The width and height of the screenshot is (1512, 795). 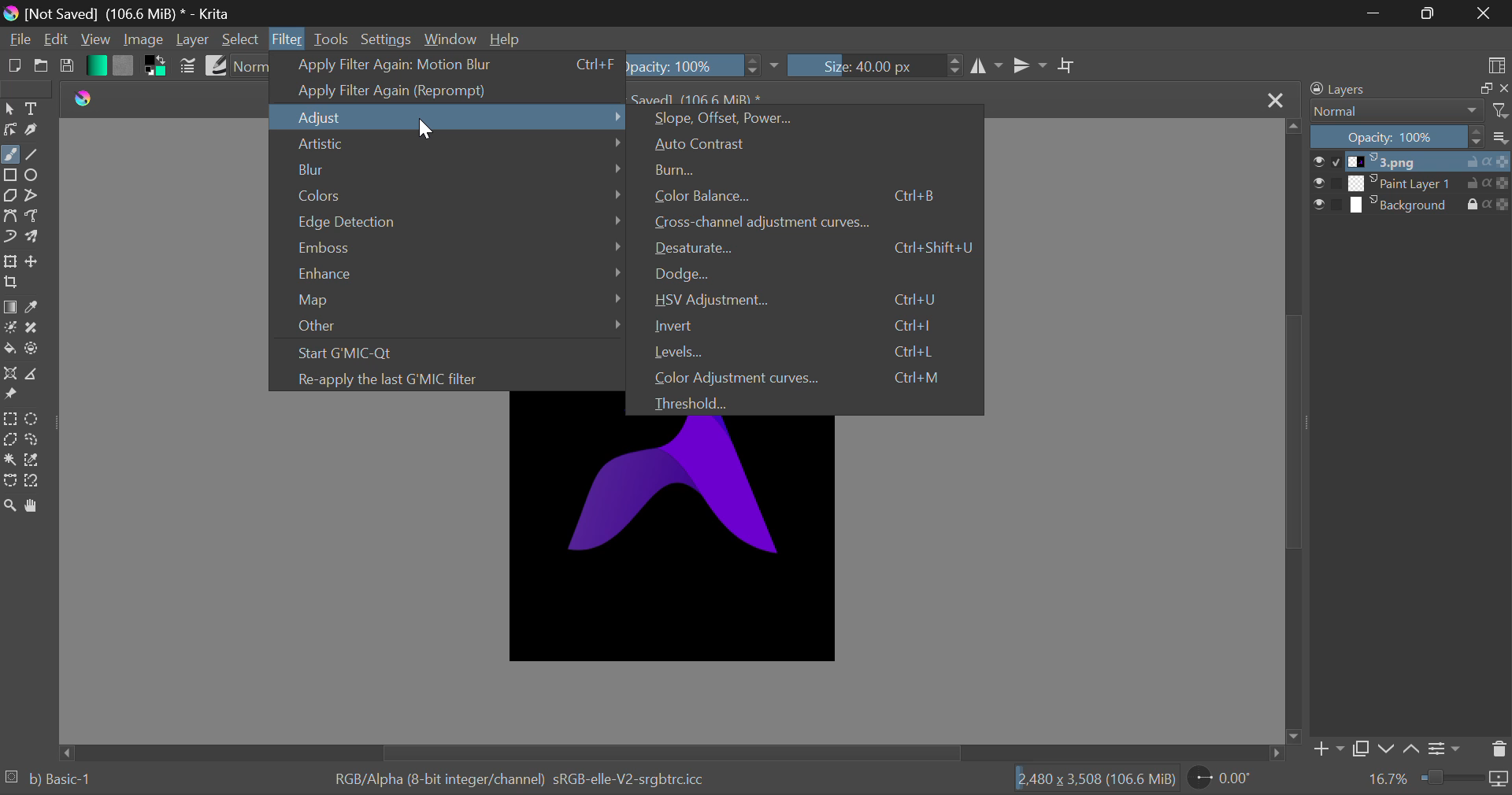 I want to click on File, so click(x=17, y=40).